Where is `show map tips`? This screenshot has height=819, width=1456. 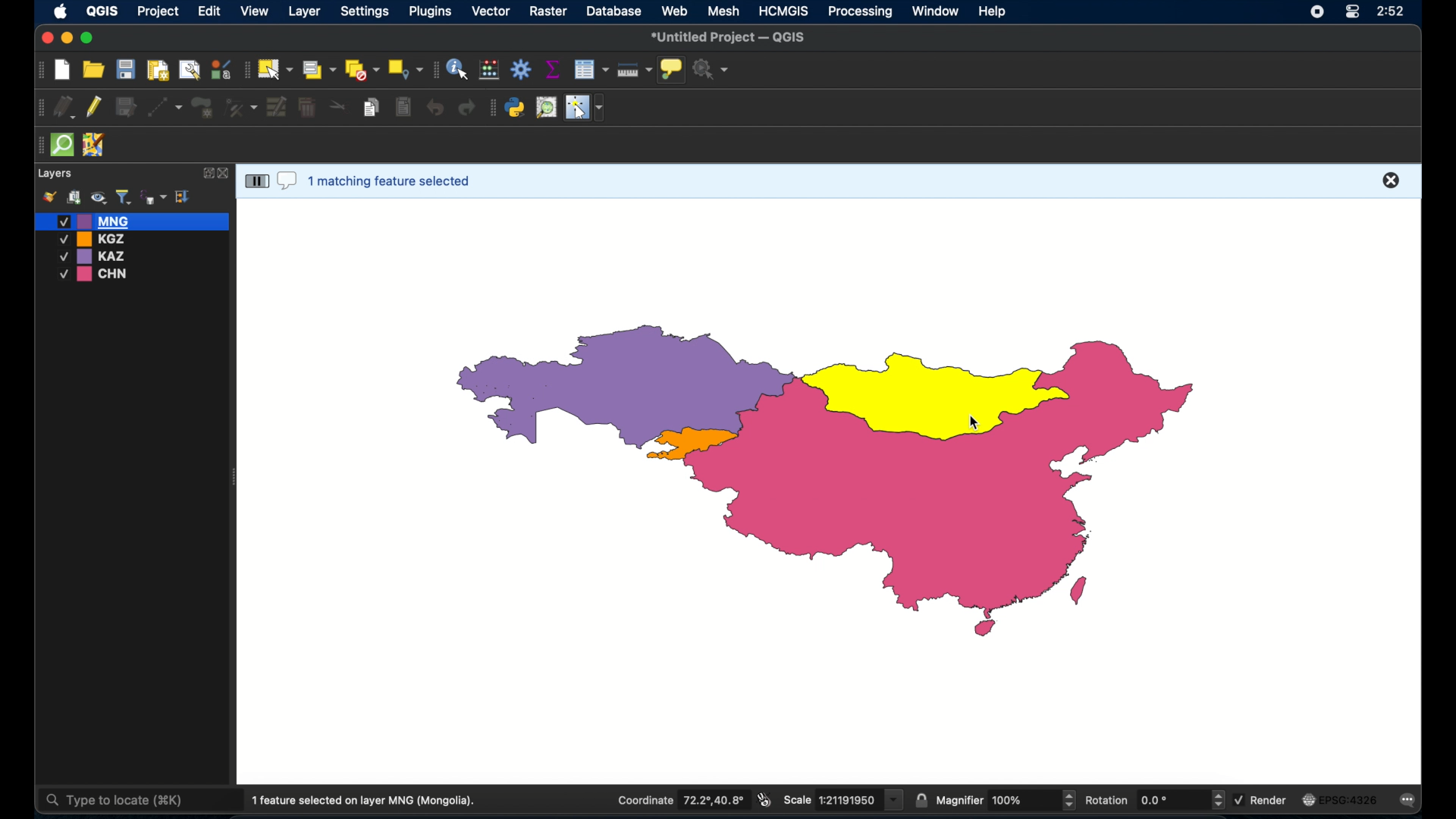 show map tips is located at coordinates (673, 71).